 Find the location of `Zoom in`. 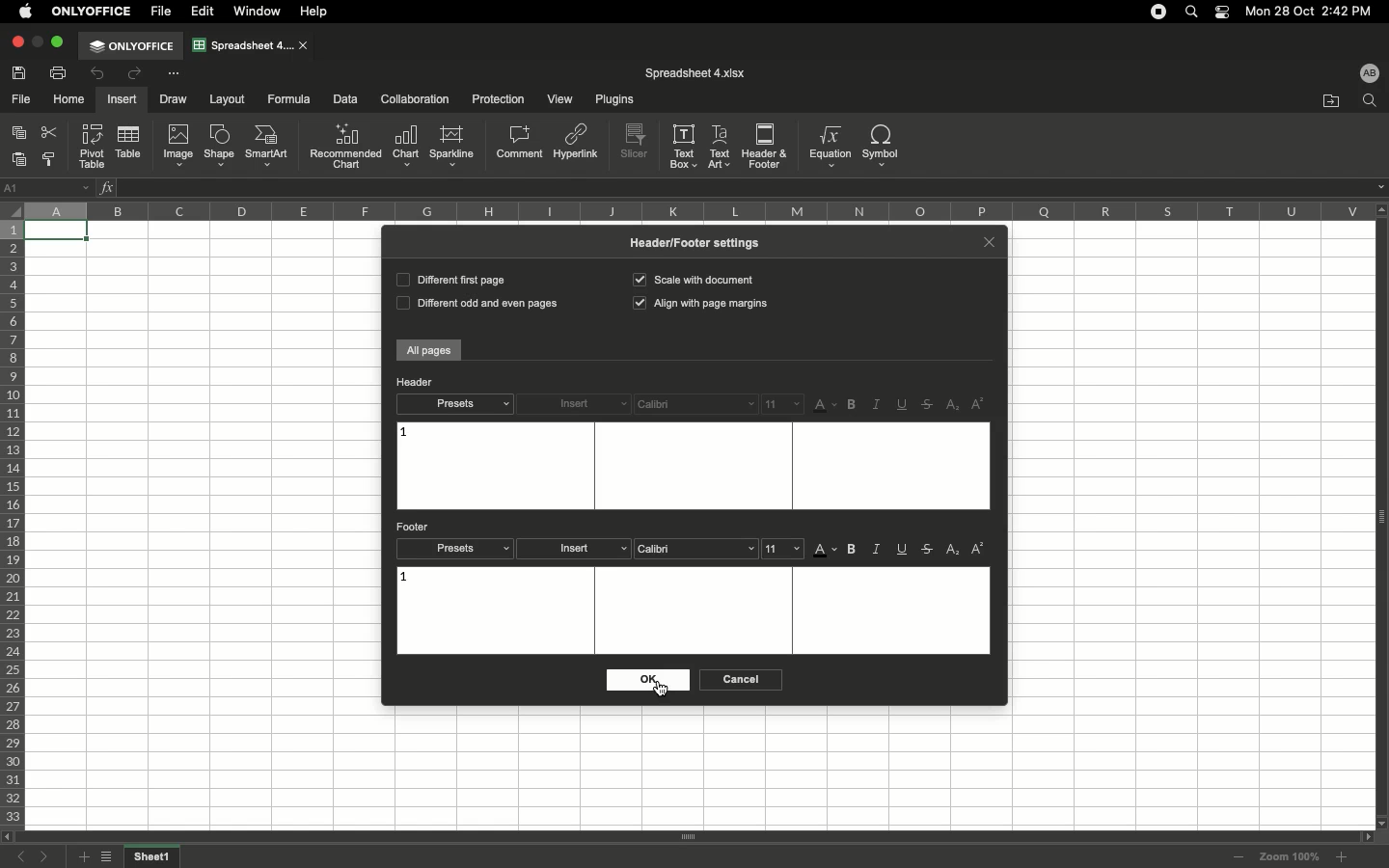

Zoom in is located at coordinates (1341, 857).